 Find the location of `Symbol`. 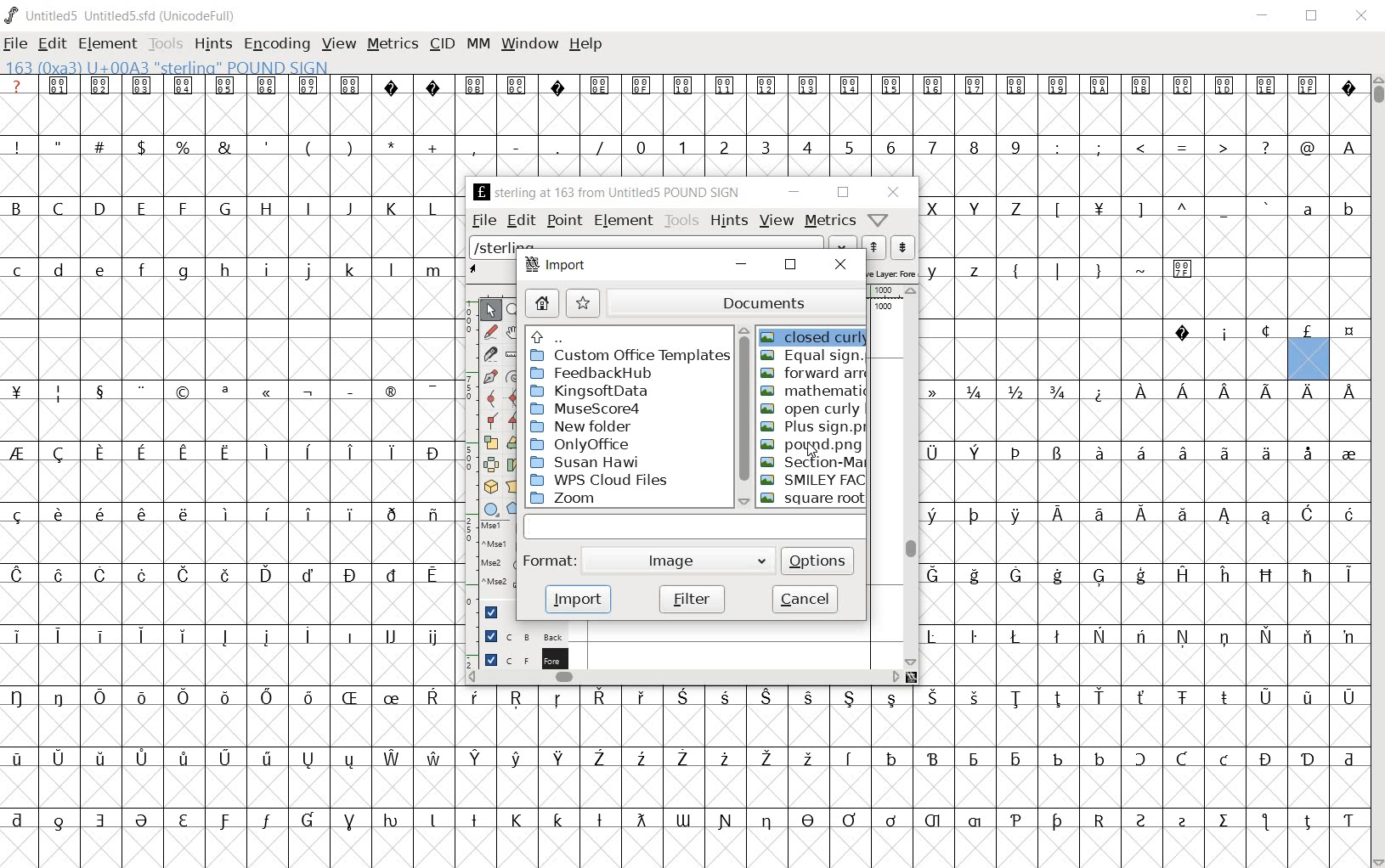

Symbol is located at coordinates (20, 392).